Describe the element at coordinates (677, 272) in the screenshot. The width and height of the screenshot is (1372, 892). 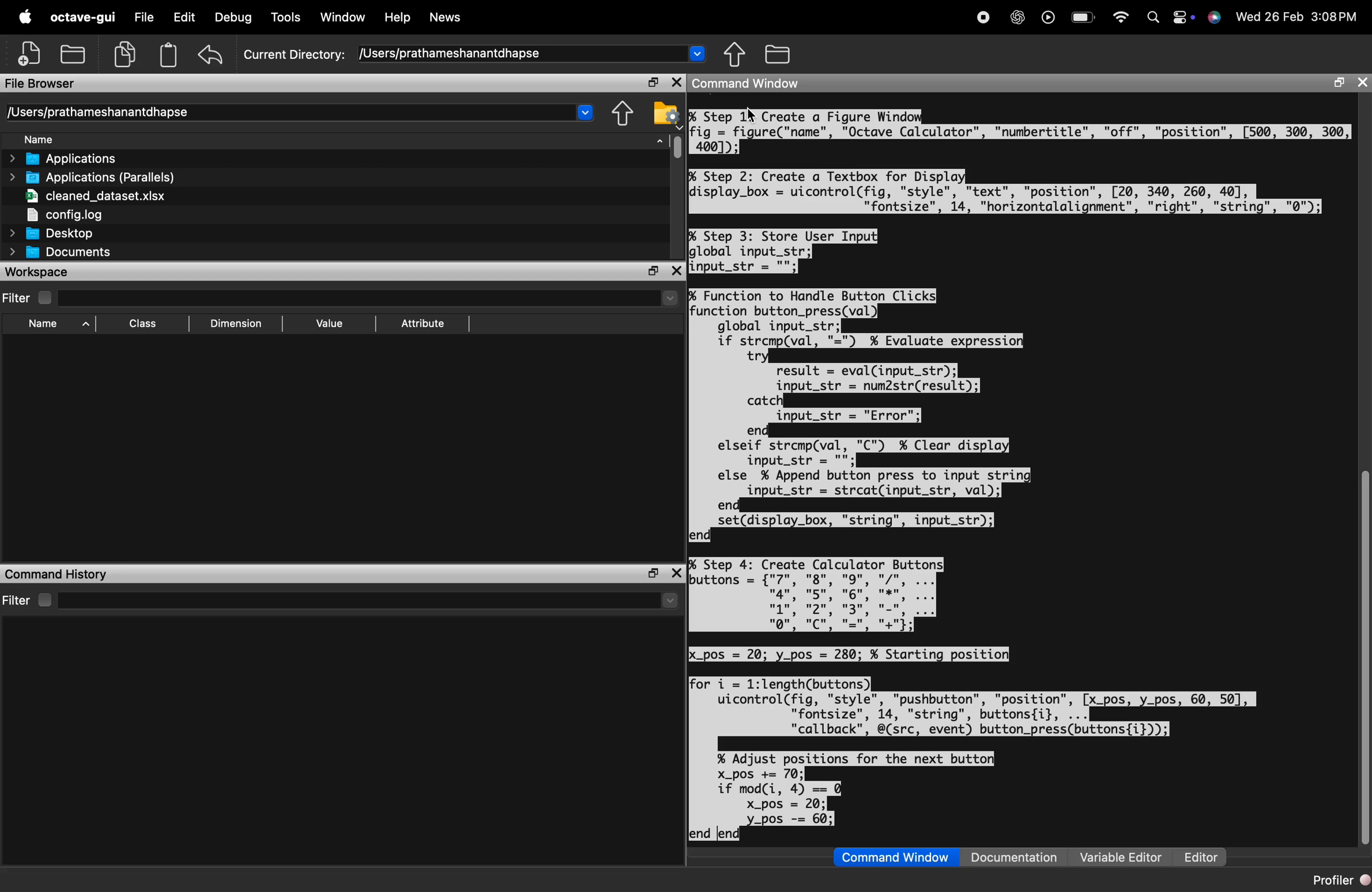
I see `close` at that location.